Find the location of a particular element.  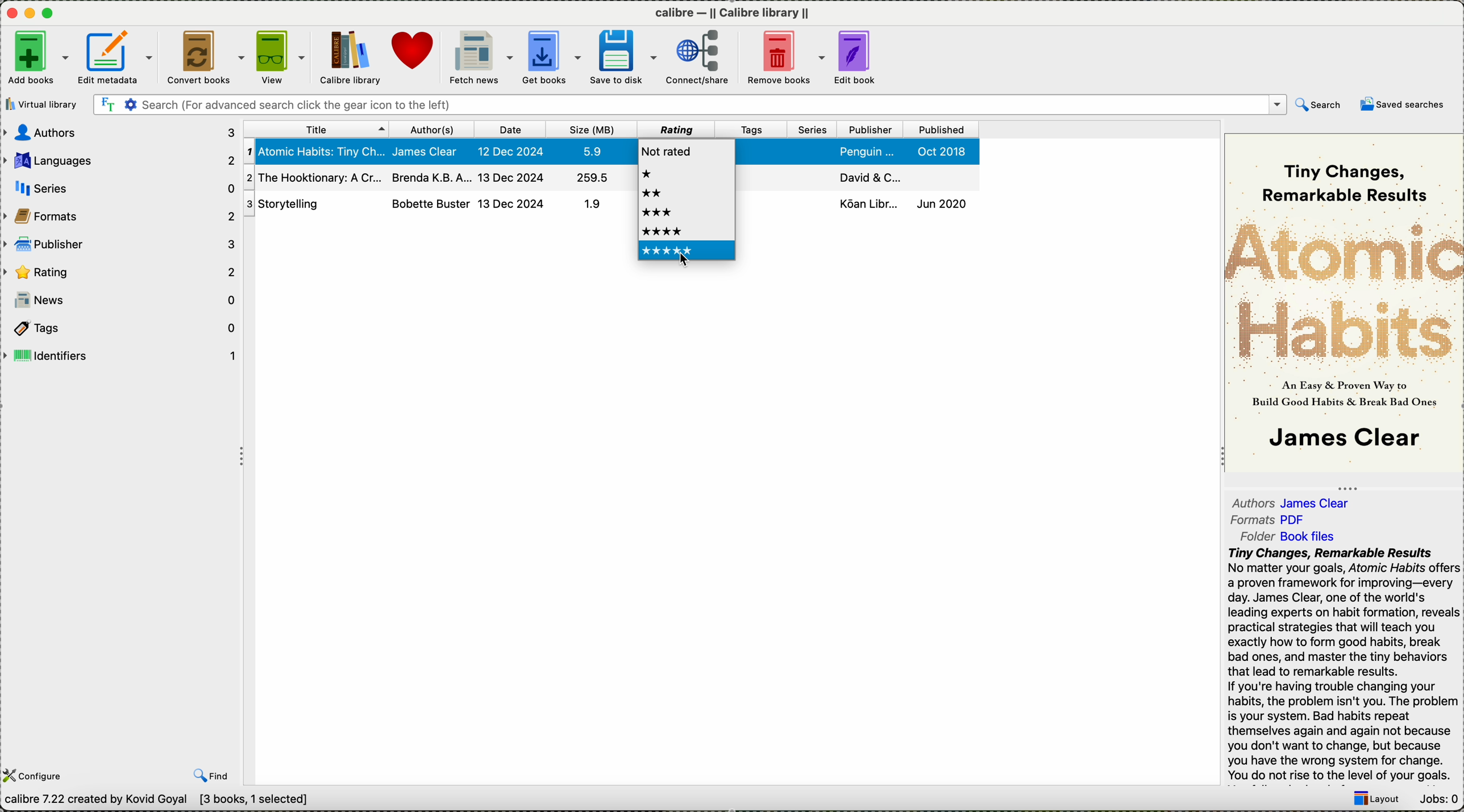

connect/share is located at coordinates (699, 59).